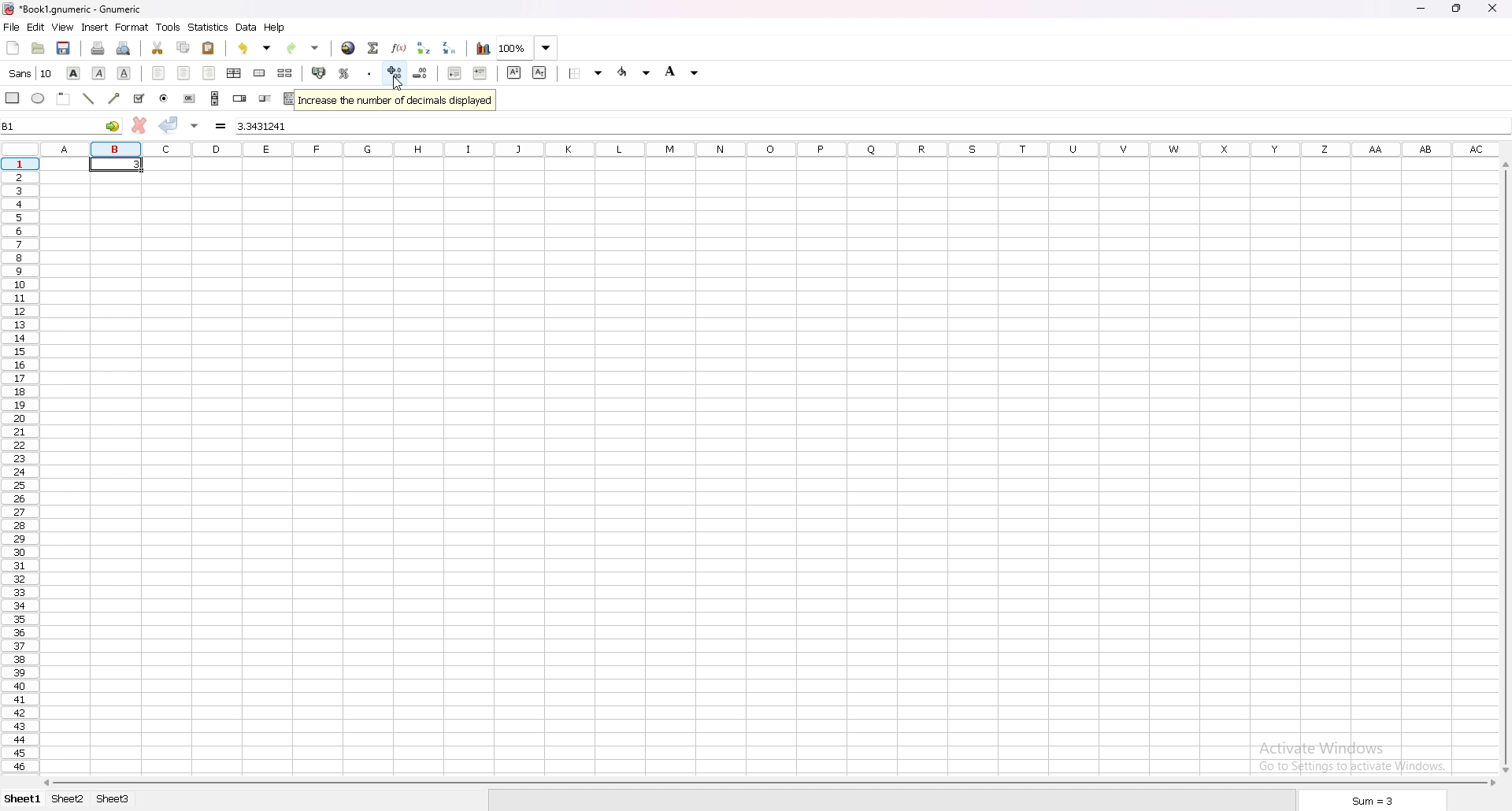  I want to click on cut, so click(159, 48).